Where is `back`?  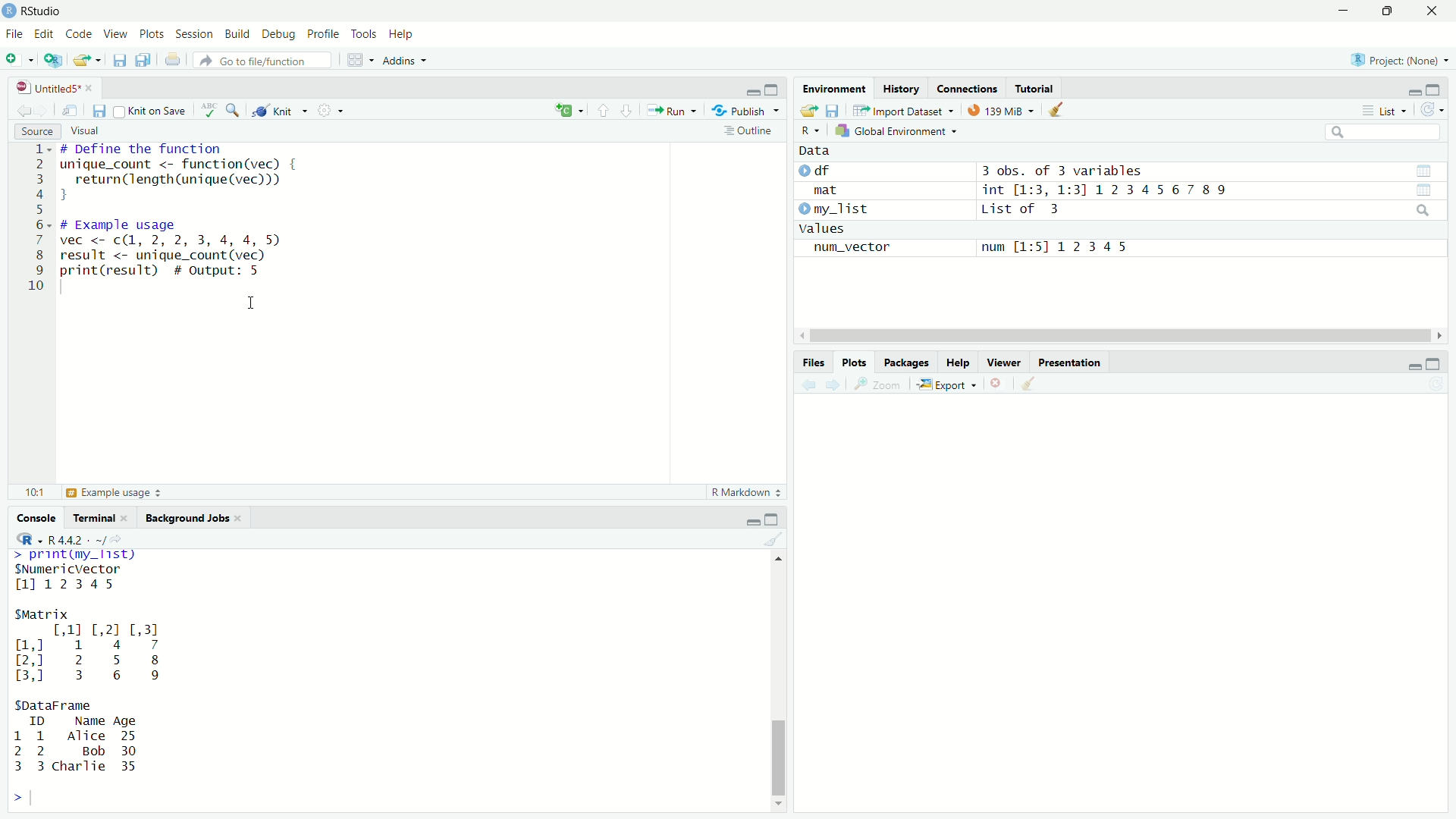 back is located at coordinates (811, 385).